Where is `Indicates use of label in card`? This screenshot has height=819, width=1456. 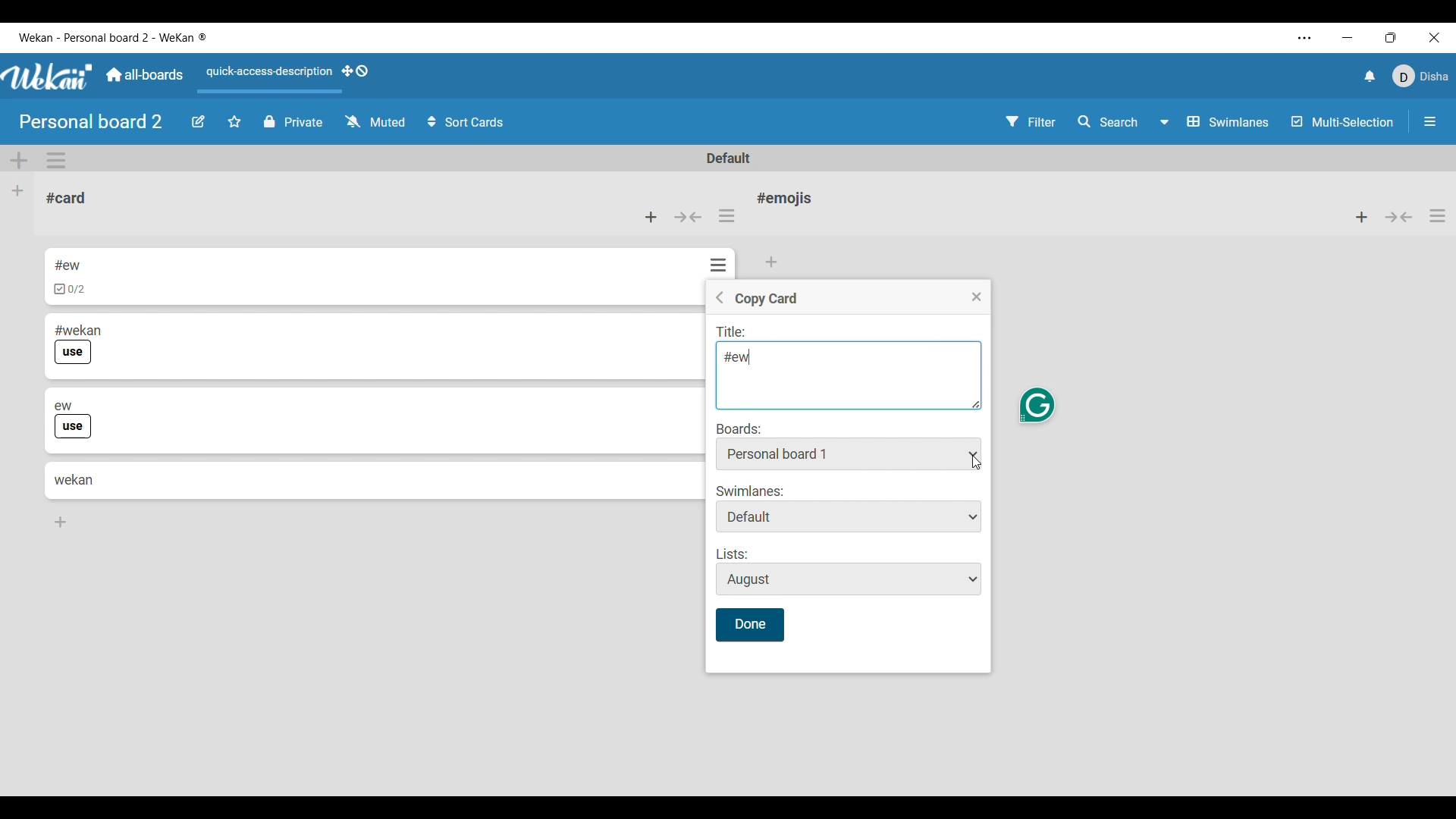
Indicates use of label in card is located at coordinates (74, 353).